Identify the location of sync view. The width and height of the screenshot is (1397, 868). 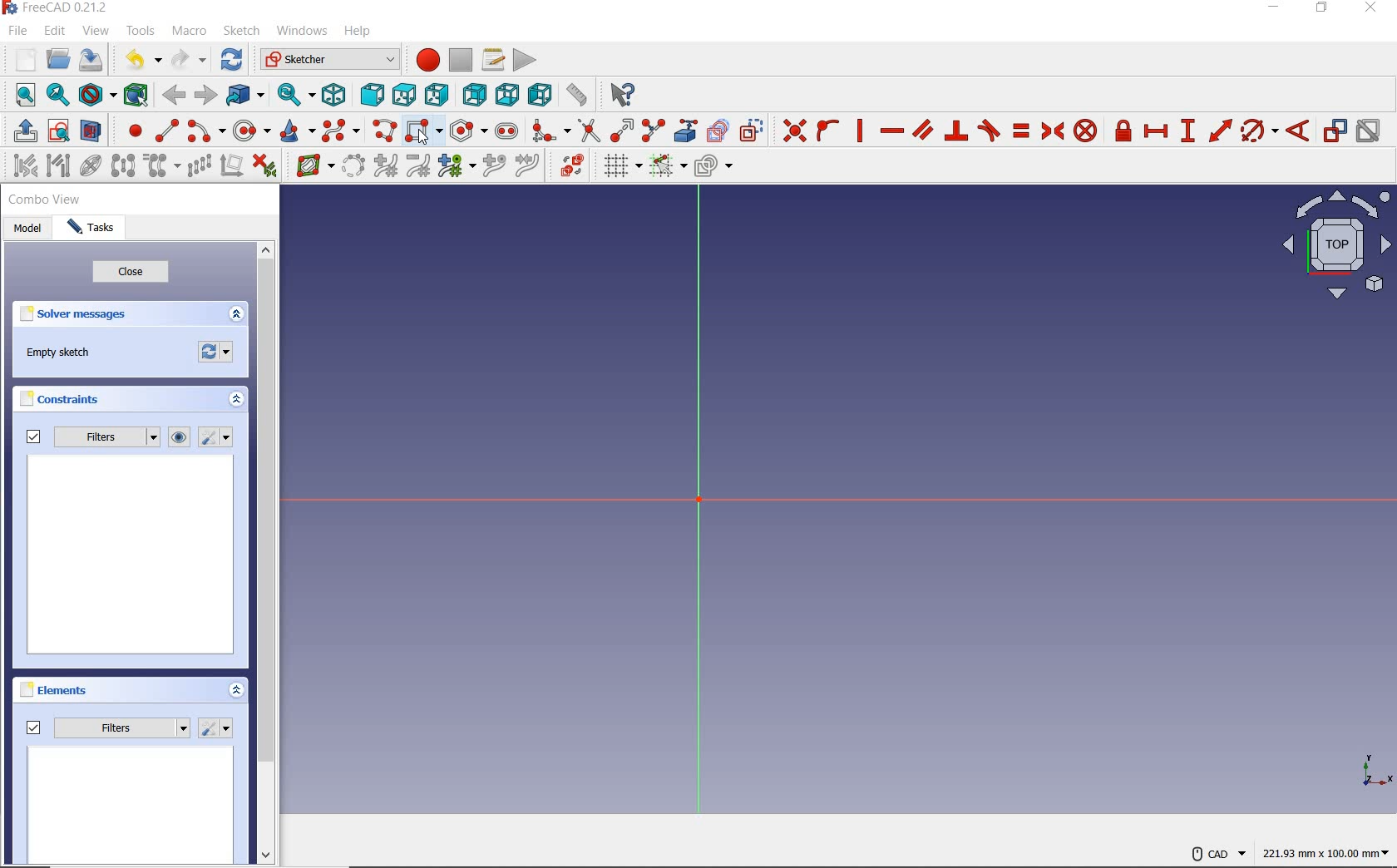
(294, 93).